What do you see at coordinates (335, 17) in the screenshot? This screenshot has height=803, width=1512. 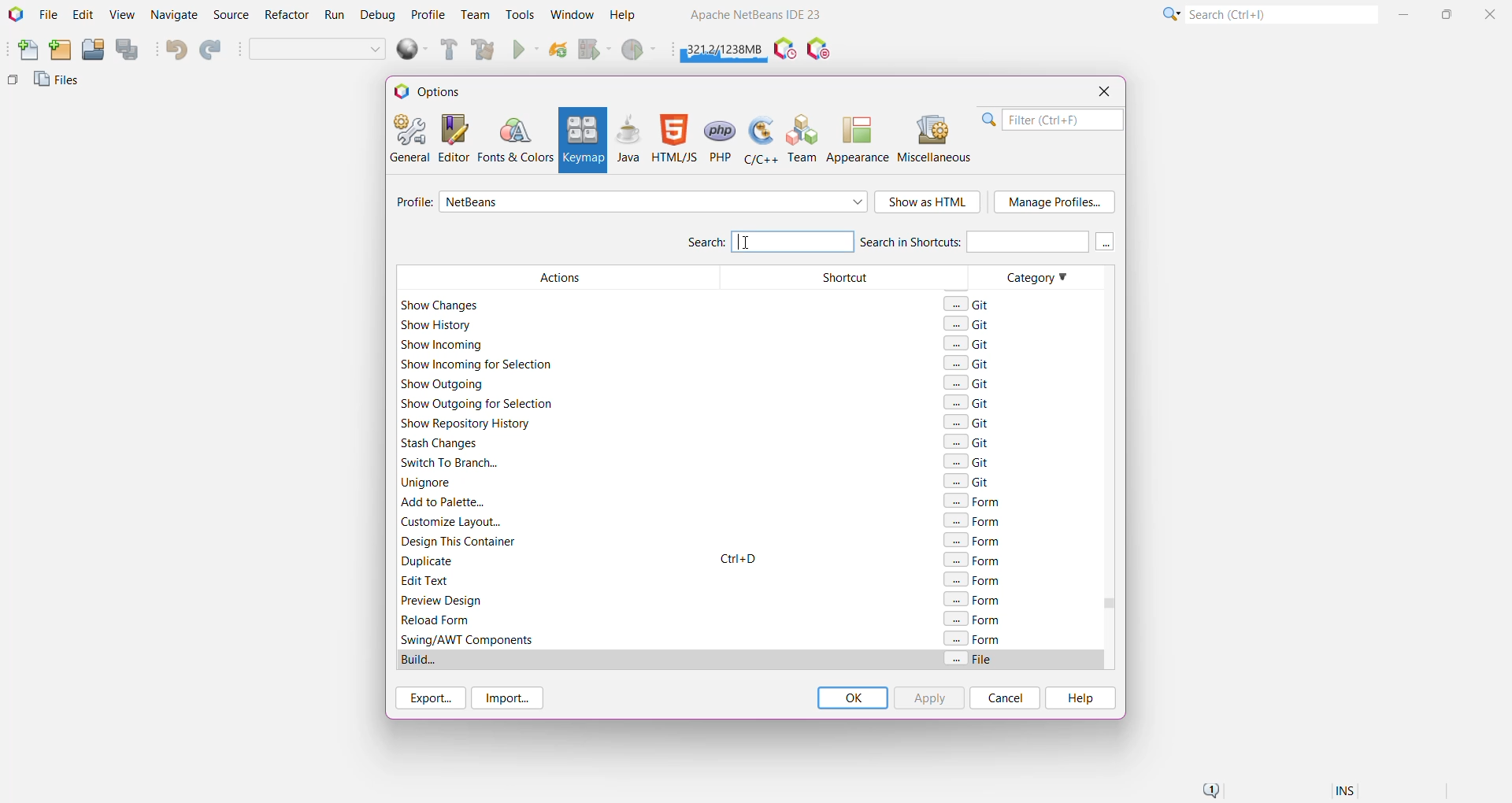 I see `Run` at bounding box center [335, 17].